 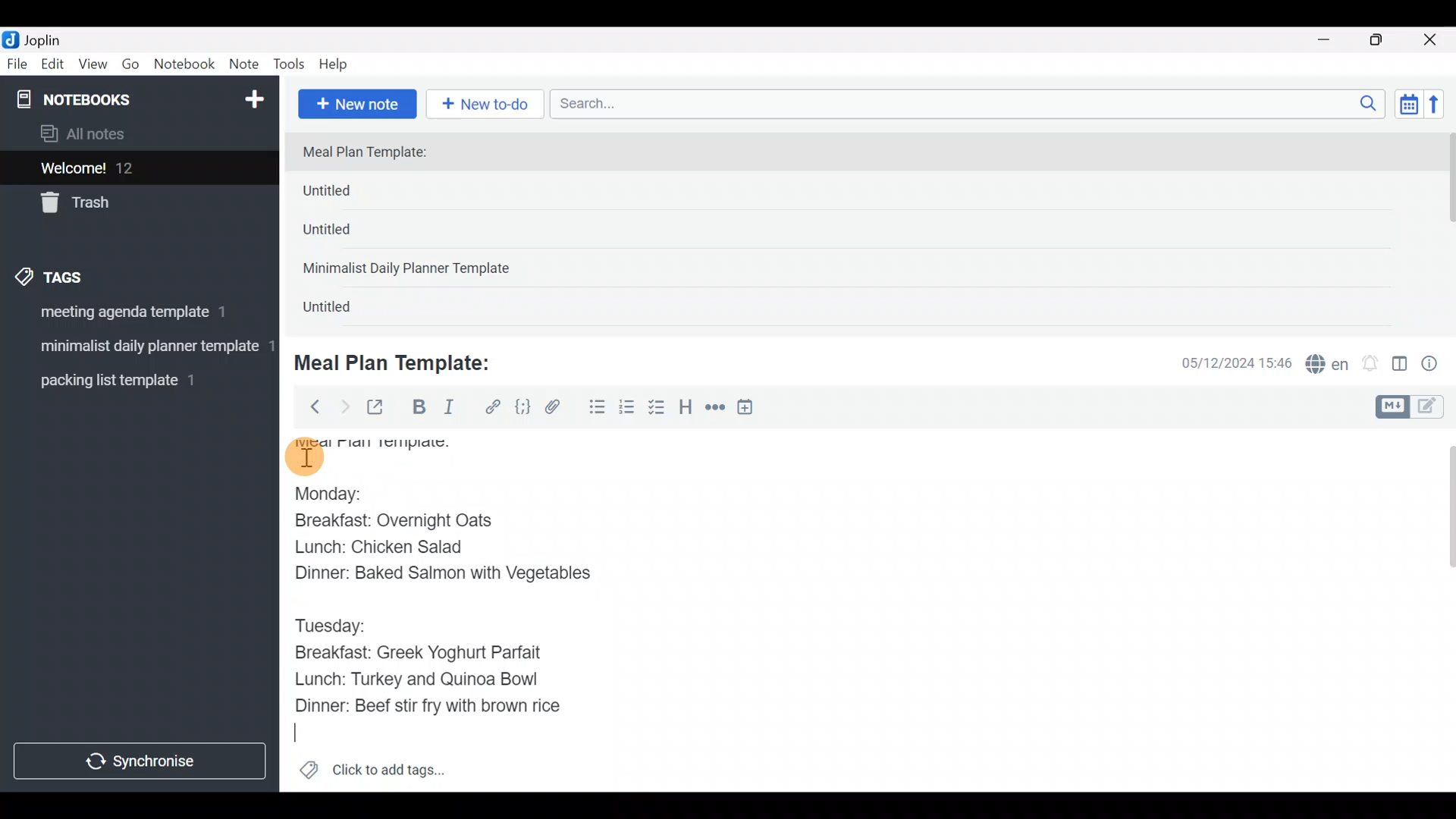 I want to click on Lunch: Turkey and Quinoa Bowl, so click(x=425, y=680).